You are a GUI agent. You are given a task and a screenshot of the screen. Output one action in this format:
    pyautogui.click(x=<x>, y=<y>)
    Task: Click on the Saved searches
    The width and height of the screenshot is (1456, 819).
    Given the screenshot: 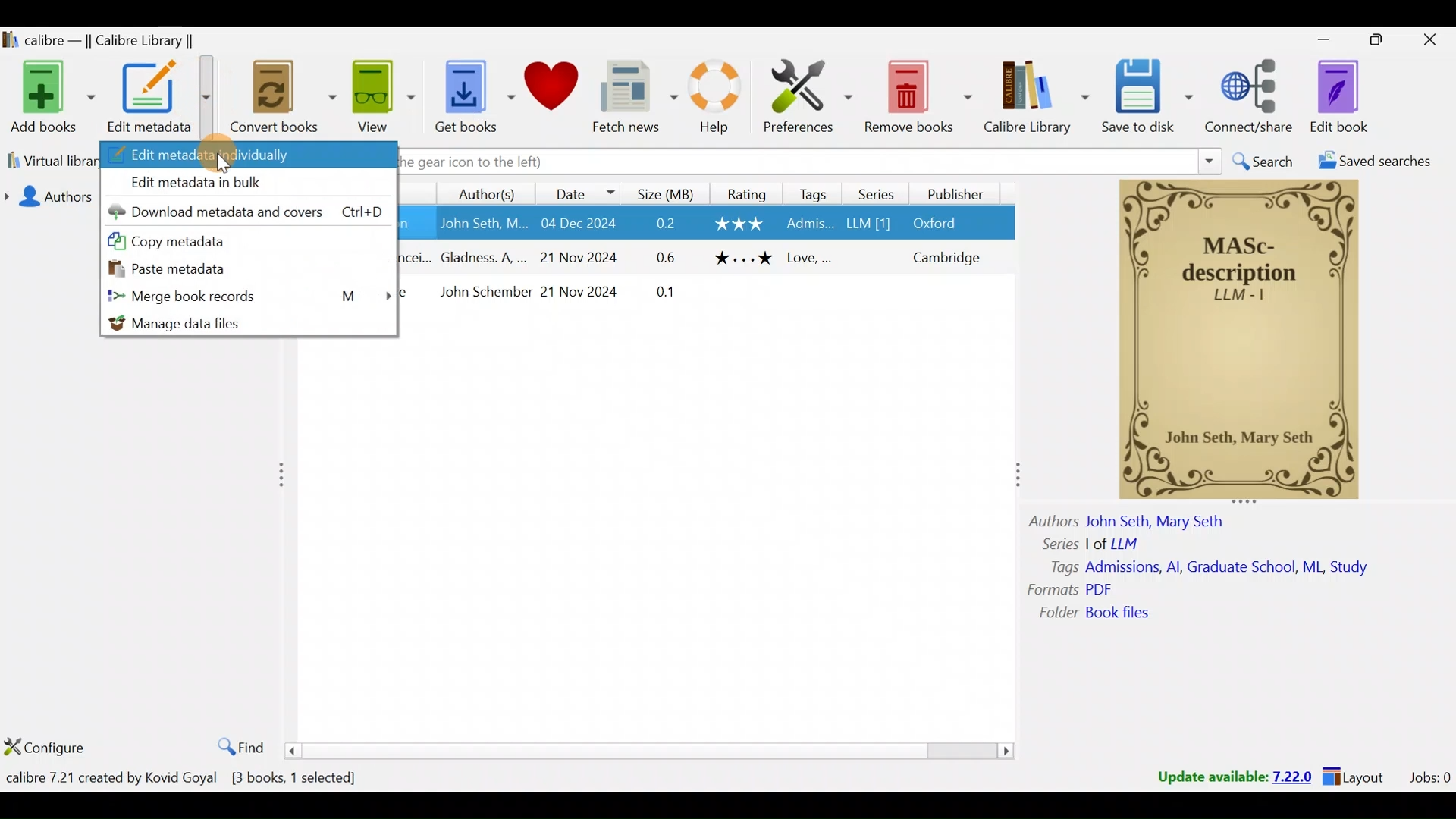 What is the action you would take?
    pyautogui.click(x=1367, y=158)
    